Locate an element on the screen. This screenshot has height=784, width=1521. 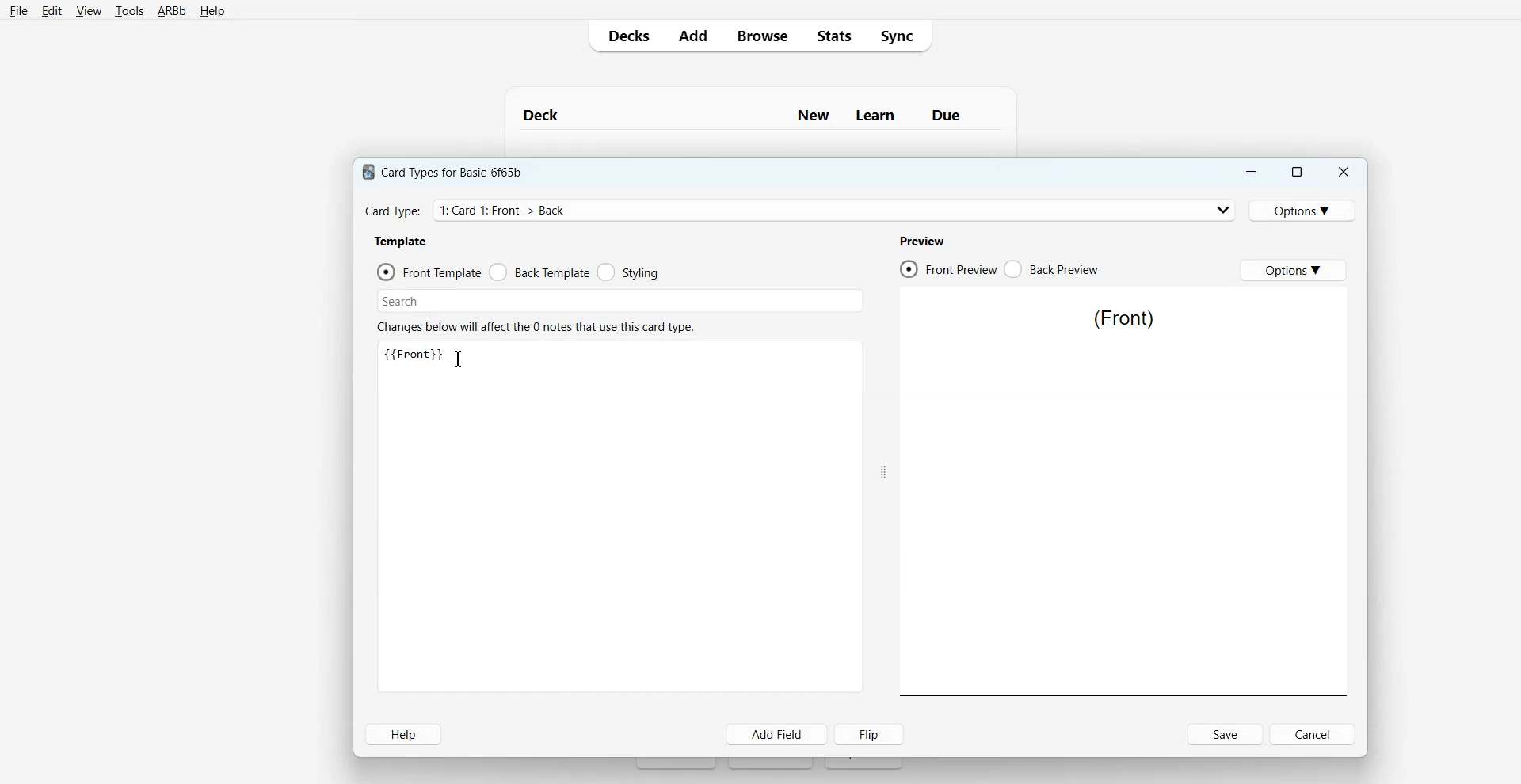
Cancel is located at coordinates (1313, 734).